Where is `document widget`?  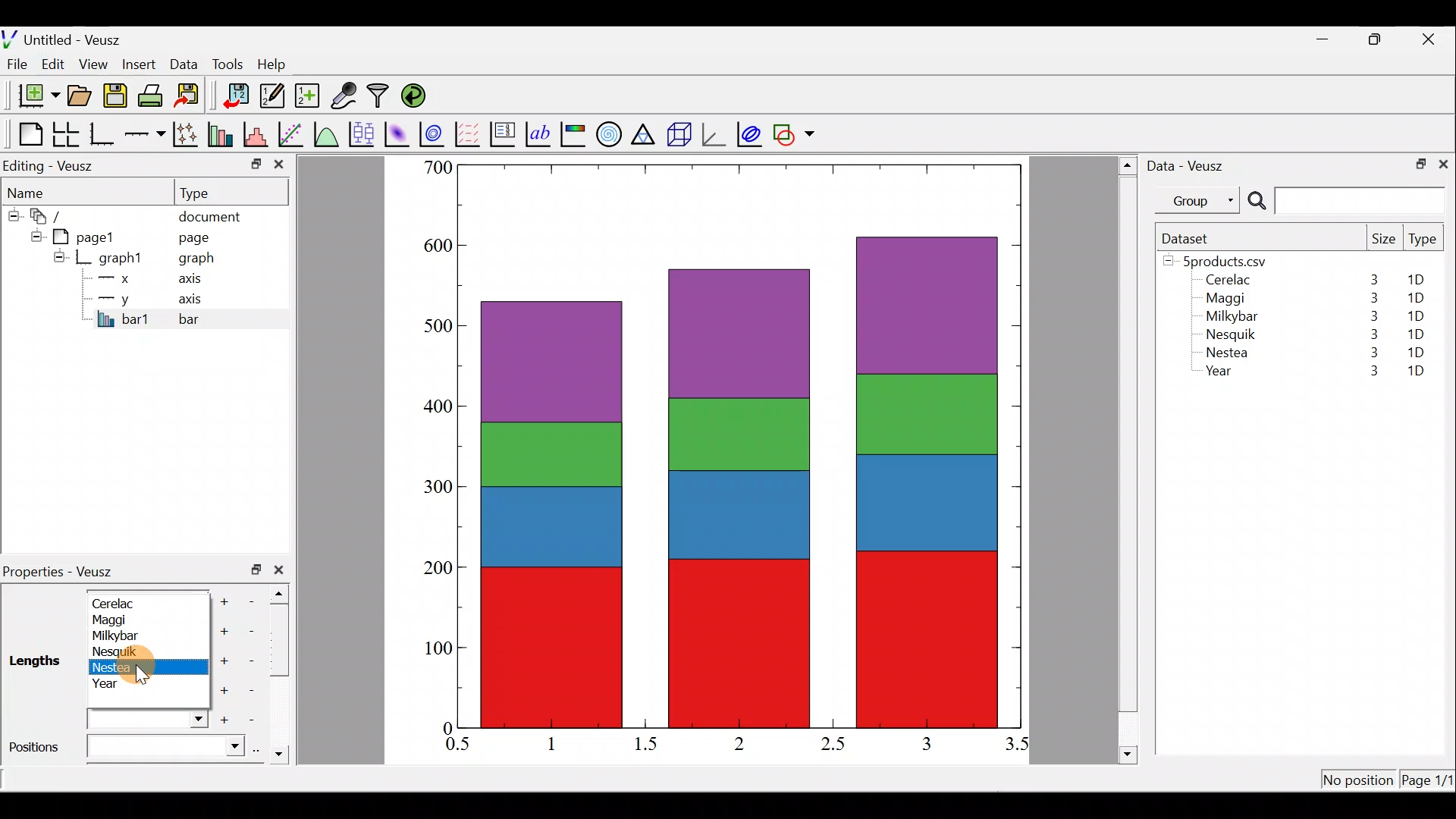 document widget is located at coordinates (54, 214).